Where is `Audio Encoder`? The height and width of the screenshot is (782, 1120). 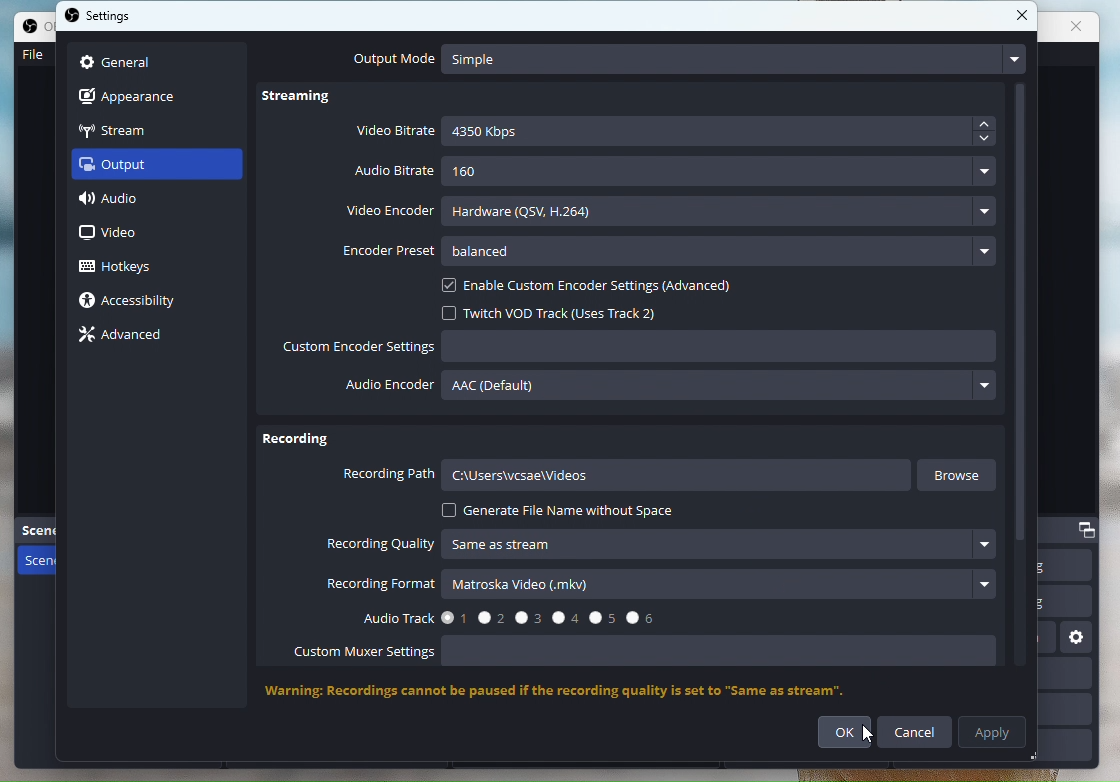 Audio Encoder is located at coordinates (673, 390).